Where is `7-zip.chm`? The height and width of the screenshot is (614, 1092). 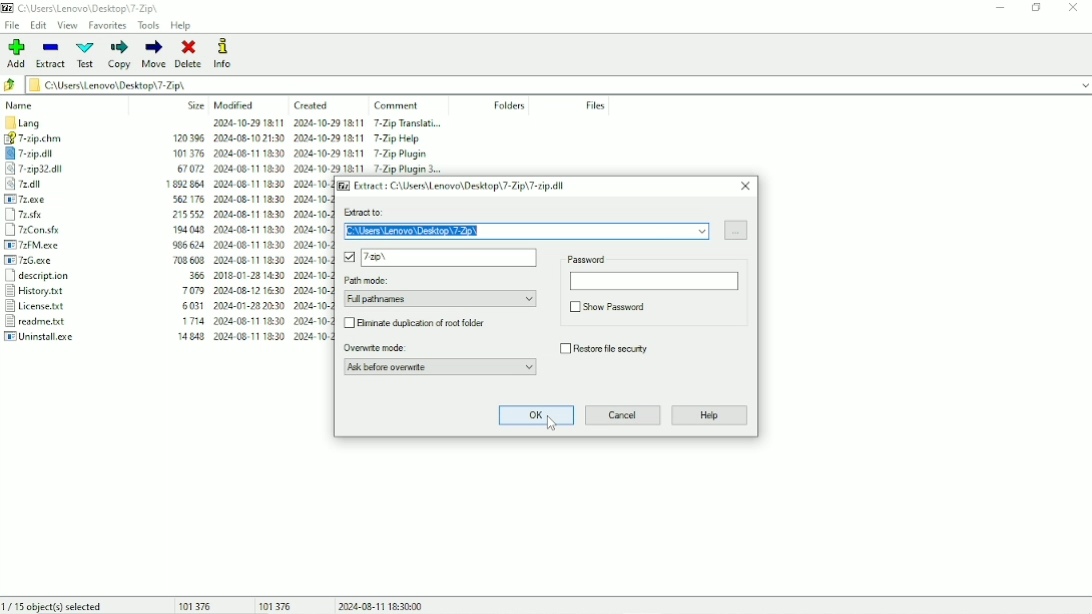
7-zip.chm is located at coordinates (55, 139).